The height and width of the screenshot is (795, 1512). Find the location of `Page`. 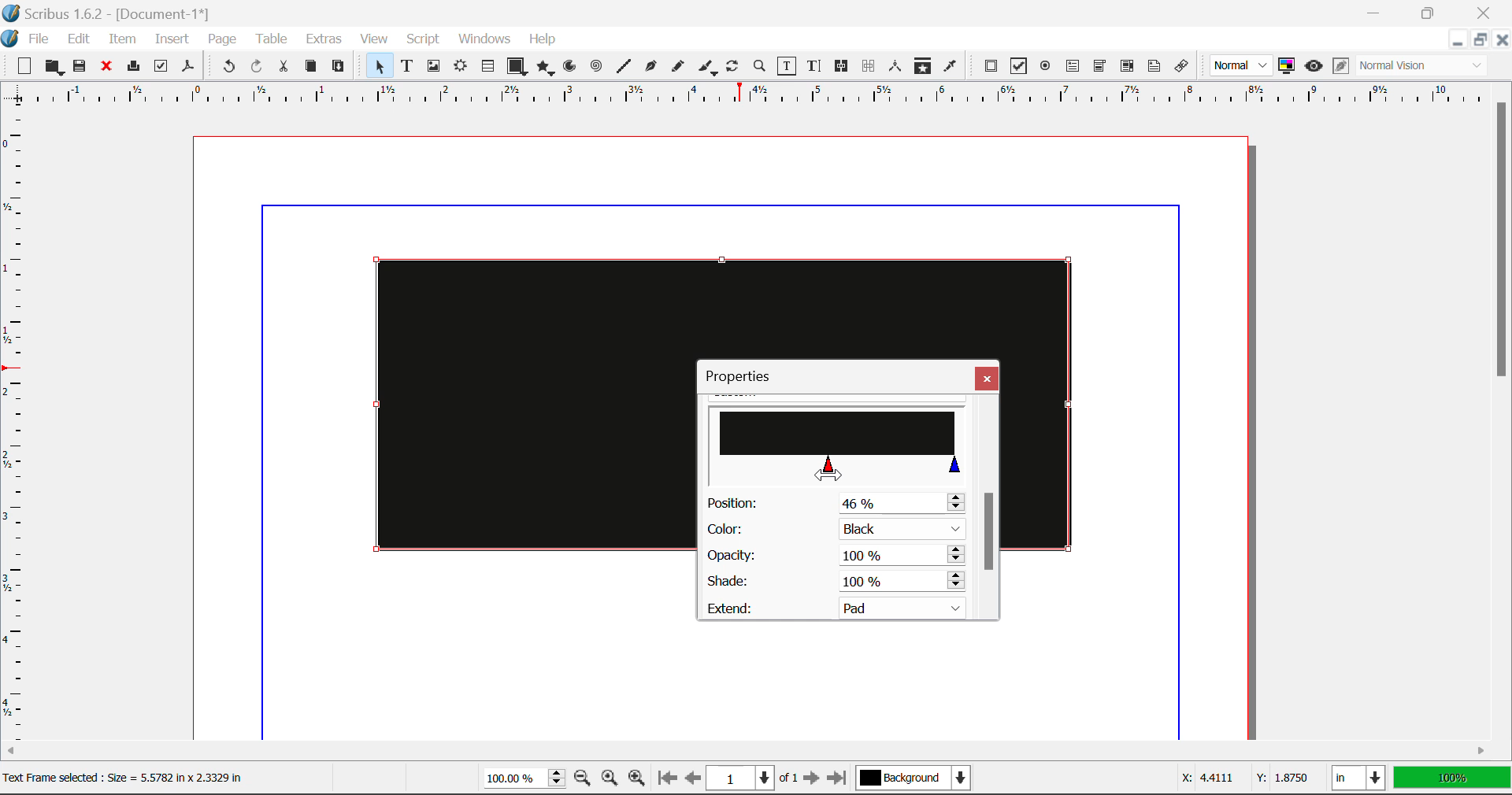

Page is located at coordinates (221, 40).